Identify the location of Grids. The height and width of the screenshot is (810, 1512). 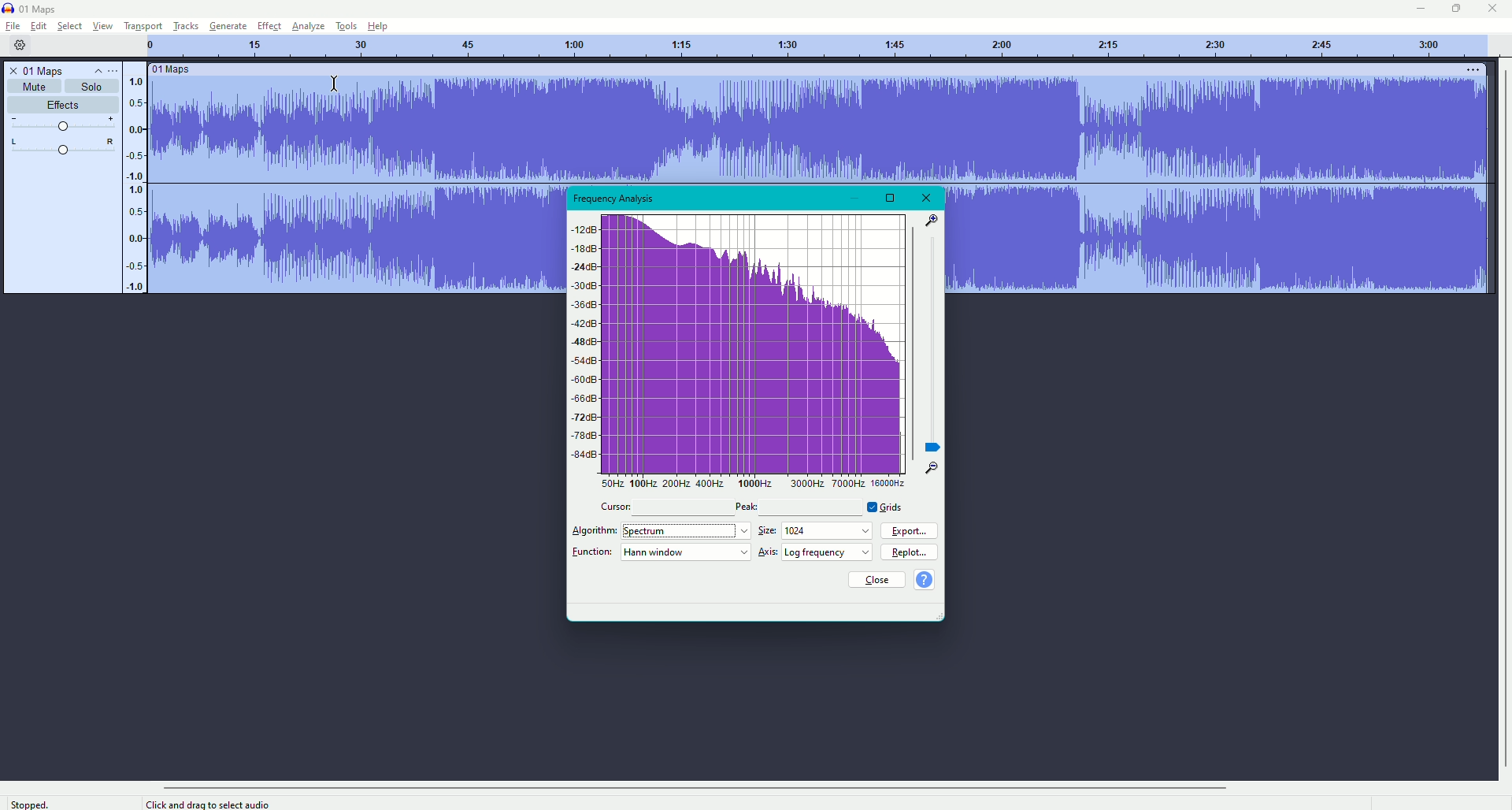
(887, 507).